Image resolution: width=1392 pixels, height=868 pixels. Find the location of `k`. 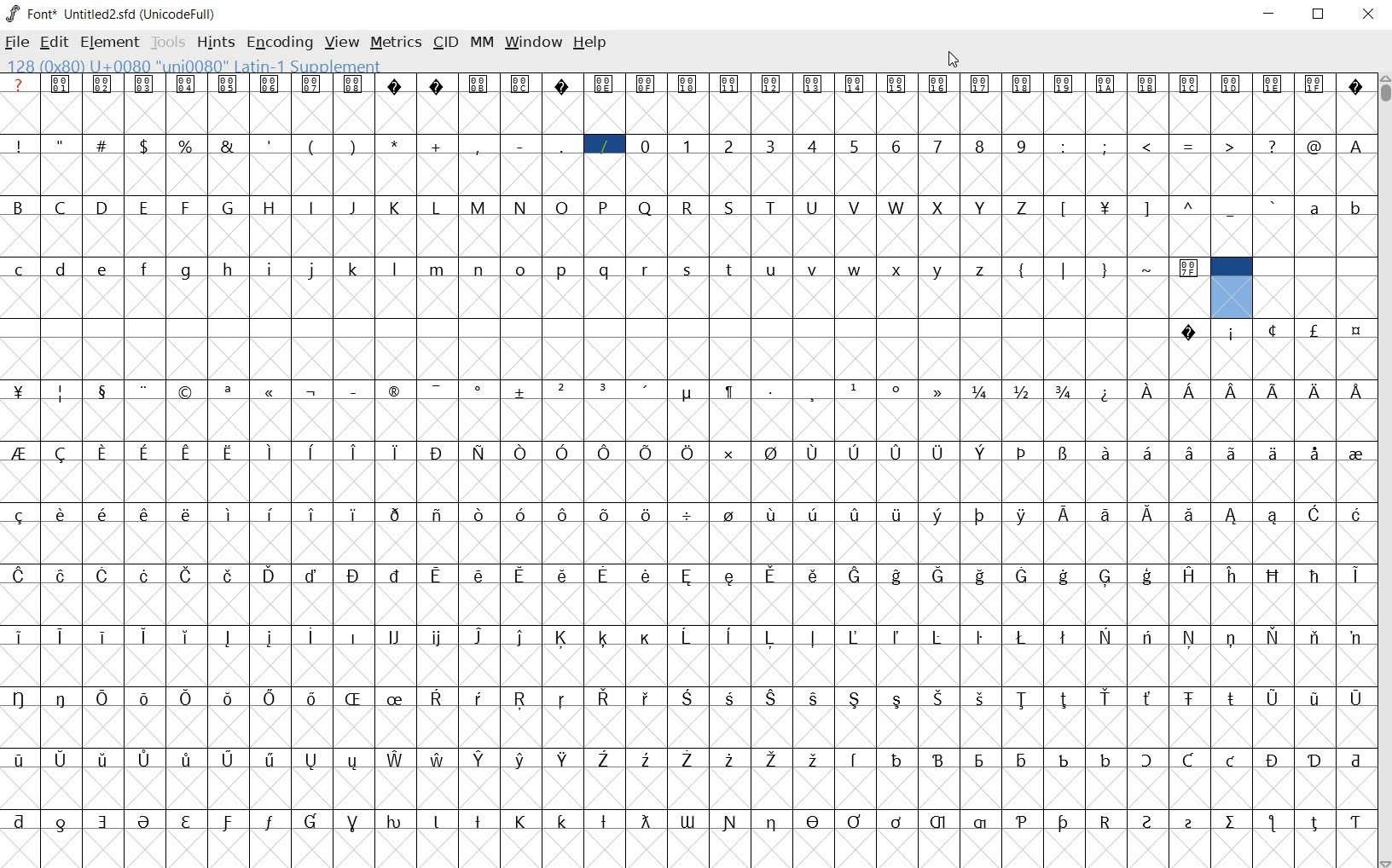

k is located at coordinates (355, 268).